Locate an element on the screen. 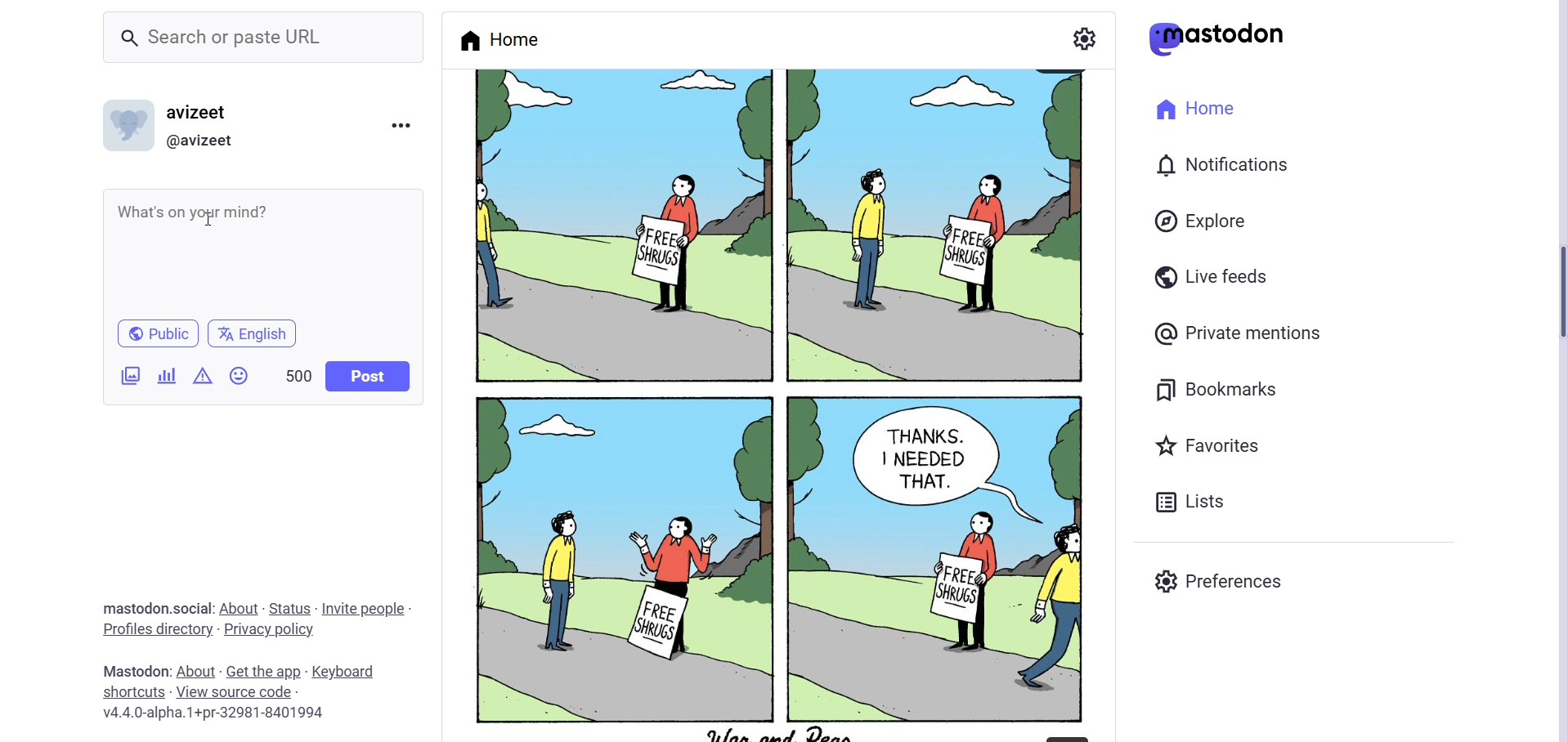 The image size is (1568, 742). Text is located at coordinates (133, 670).